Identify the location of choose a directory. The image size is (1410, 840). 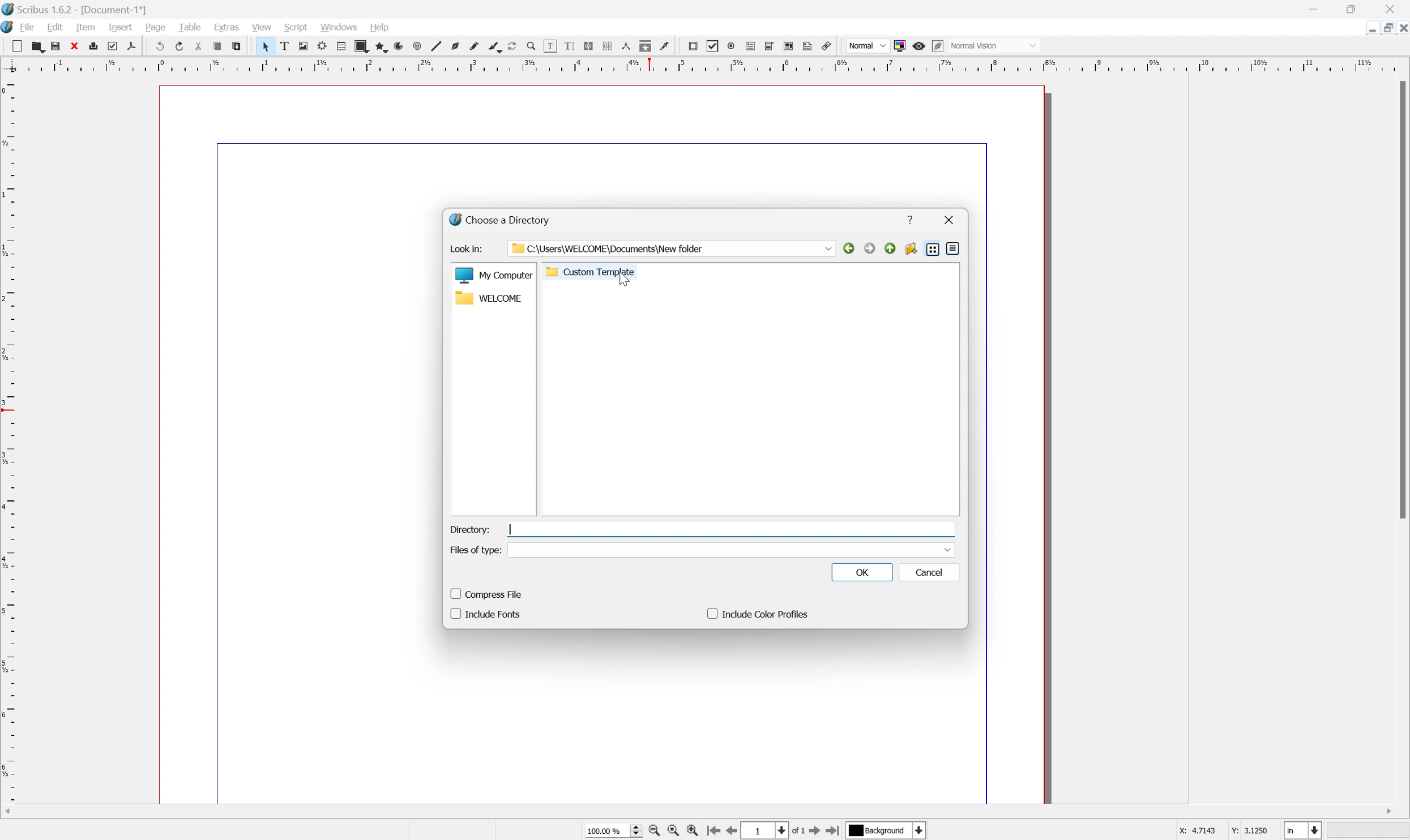
(502, 219).